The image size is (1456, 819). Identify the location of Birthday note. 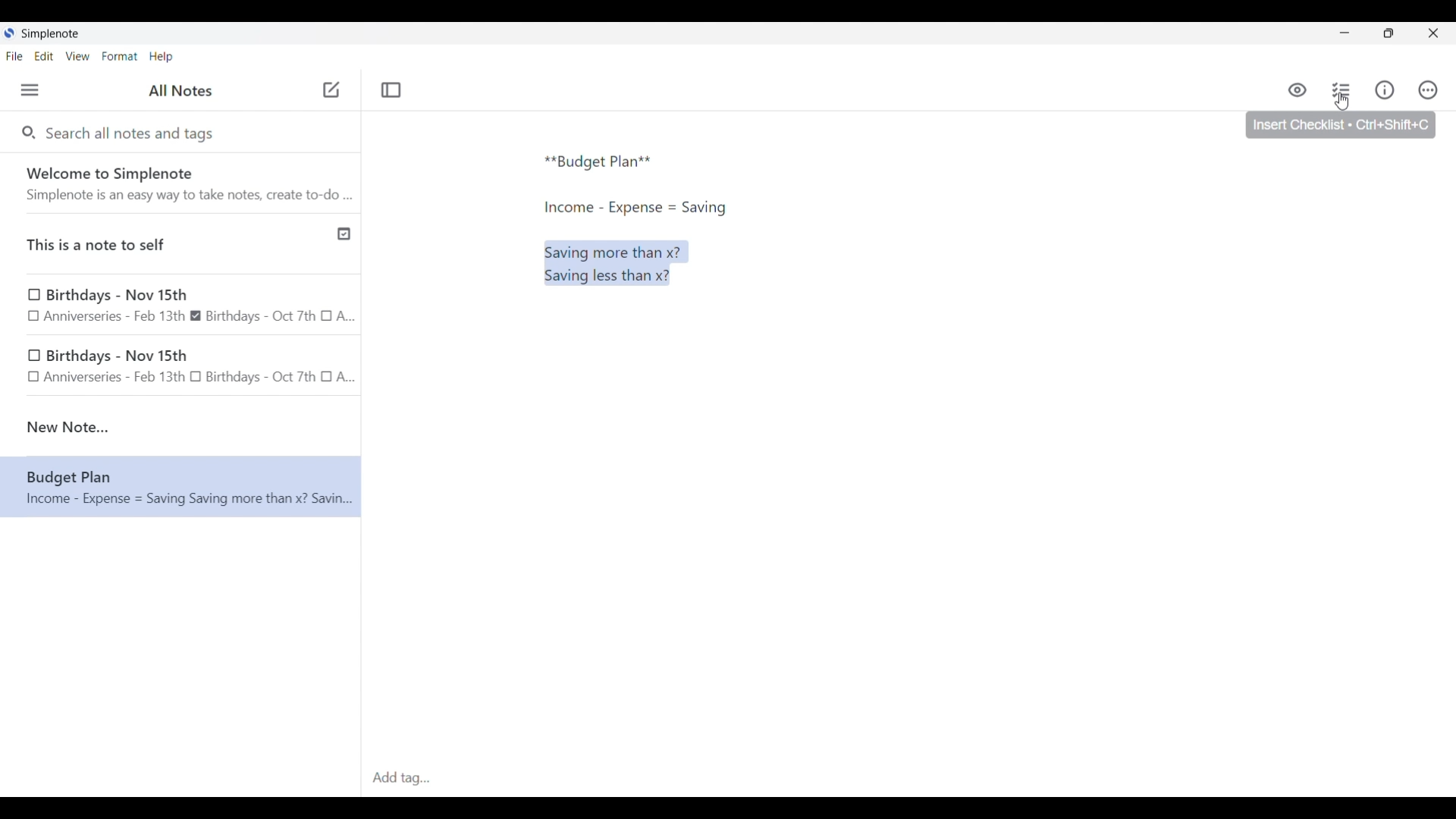
(181, 303).